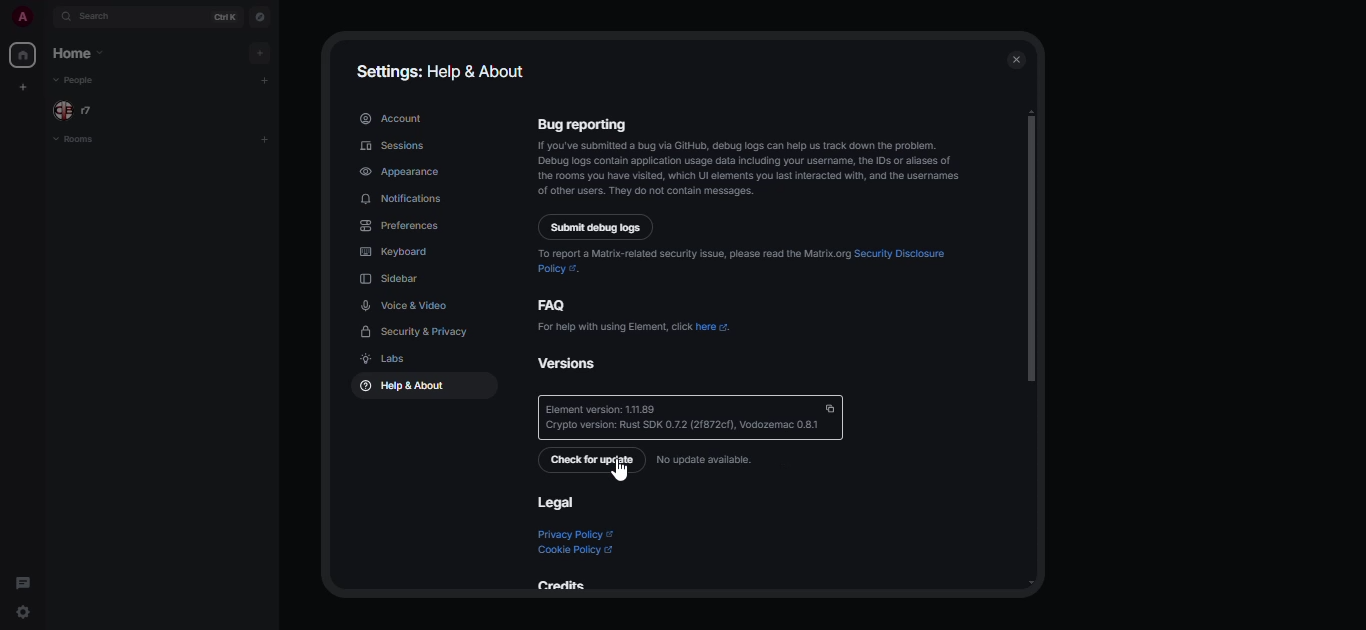 This screenshot has height=630, width=1366. Describe the element at coordinates (402, 171) in the screenshot. I see `appearance` at that location.